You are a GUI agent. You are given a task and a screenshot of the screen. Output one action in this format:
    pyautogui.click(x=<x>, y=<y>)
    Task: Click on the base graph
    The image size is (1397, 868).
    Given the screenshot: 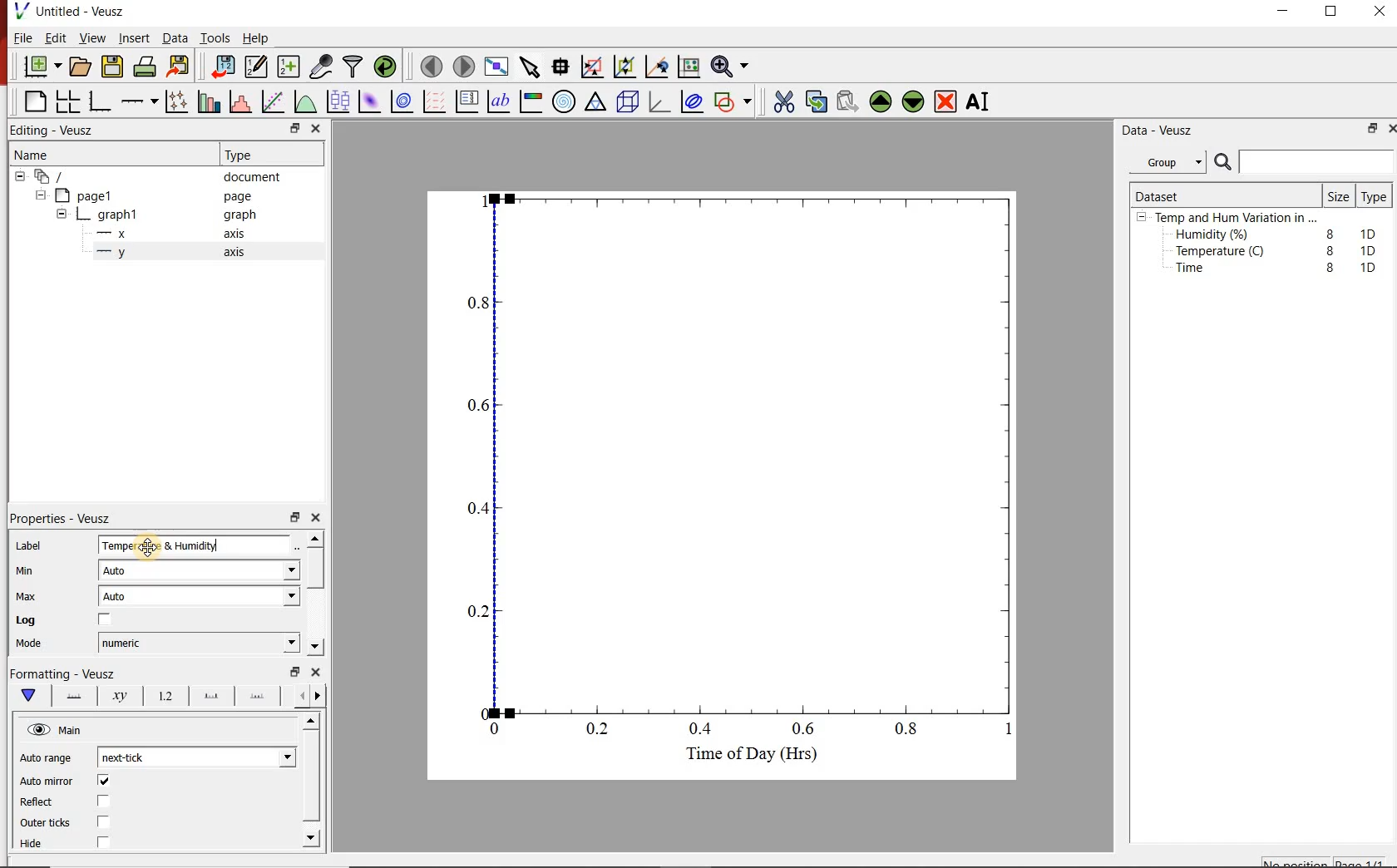 What is the action you would take?
    pyautogui.click(x=101, y=99)
    